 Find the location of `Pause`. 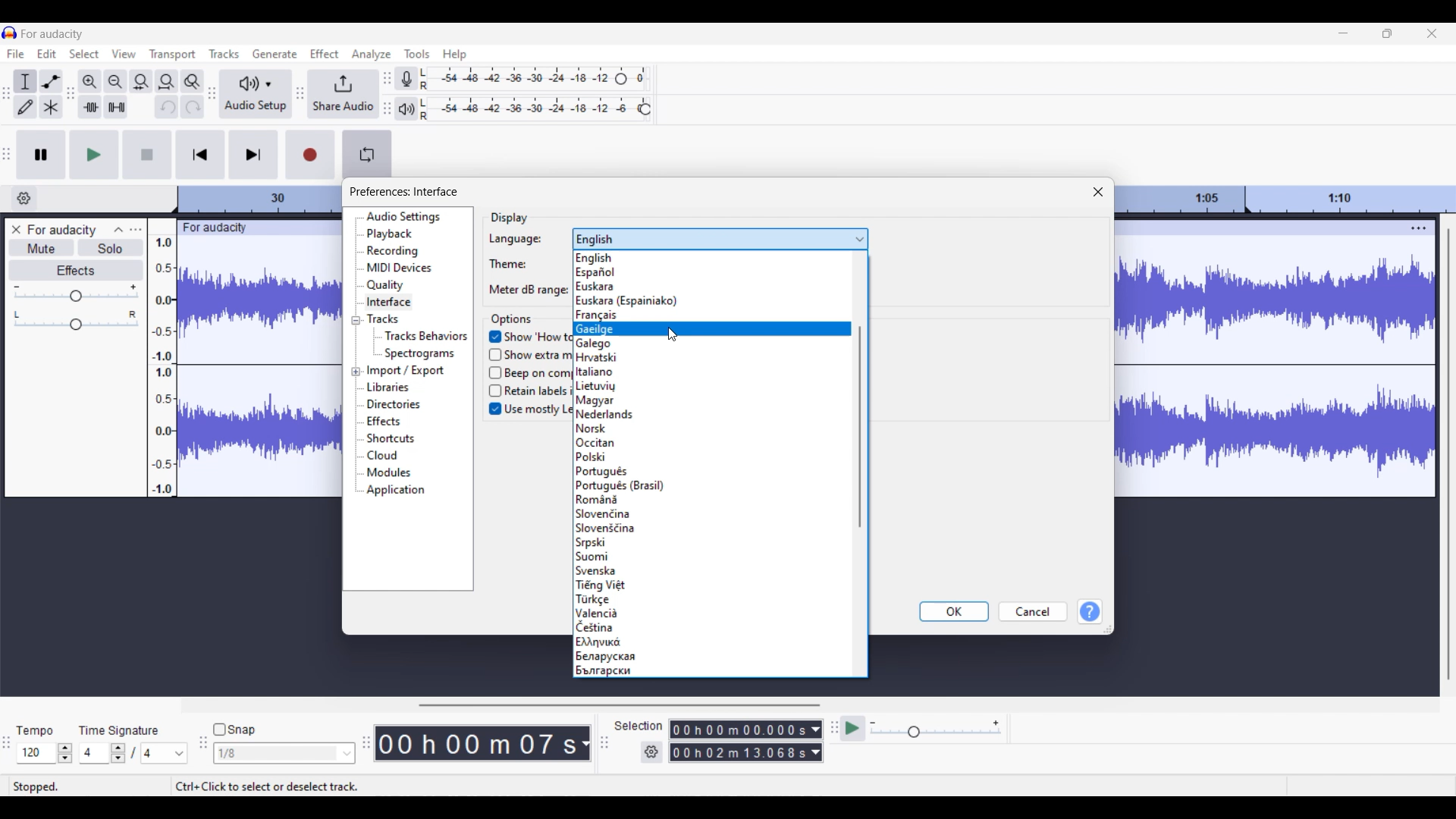

Pause is located at coordinates (41, 155).